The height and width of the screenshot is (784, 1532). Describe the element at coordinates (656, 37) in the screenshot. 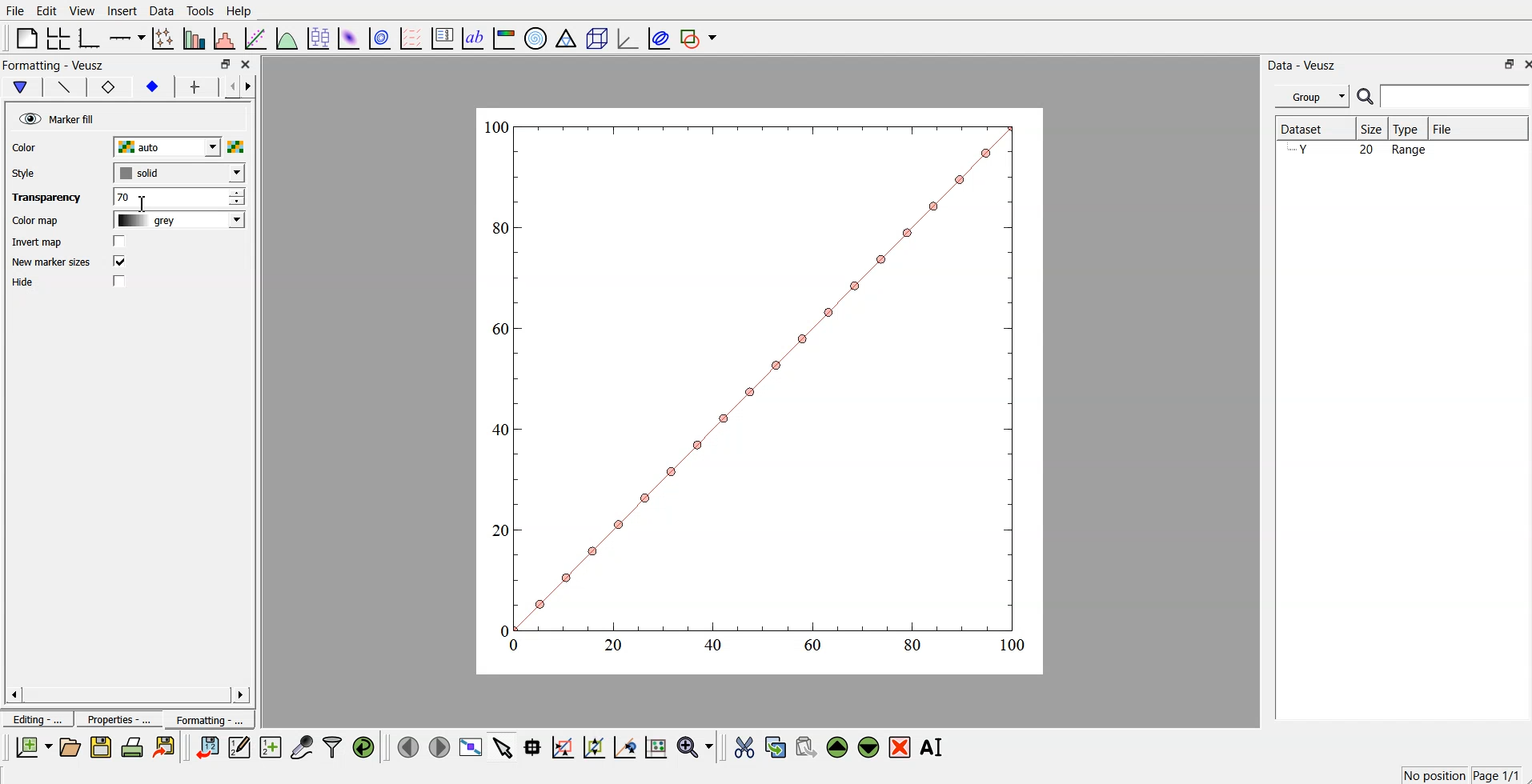

I see `plot covariance ellipses` at that location.